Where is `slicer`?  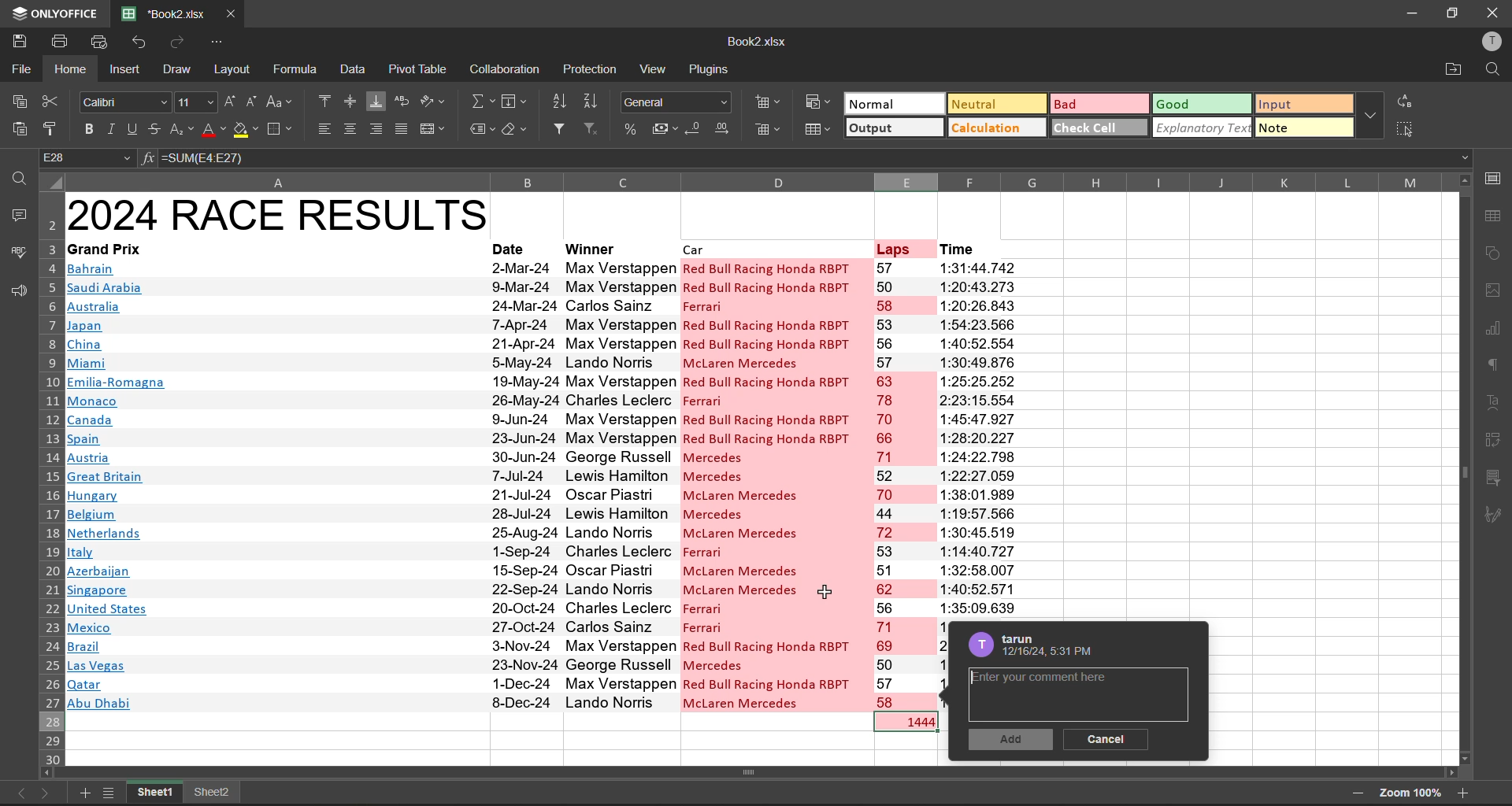
slicer is located at coordinates (1493, 481).